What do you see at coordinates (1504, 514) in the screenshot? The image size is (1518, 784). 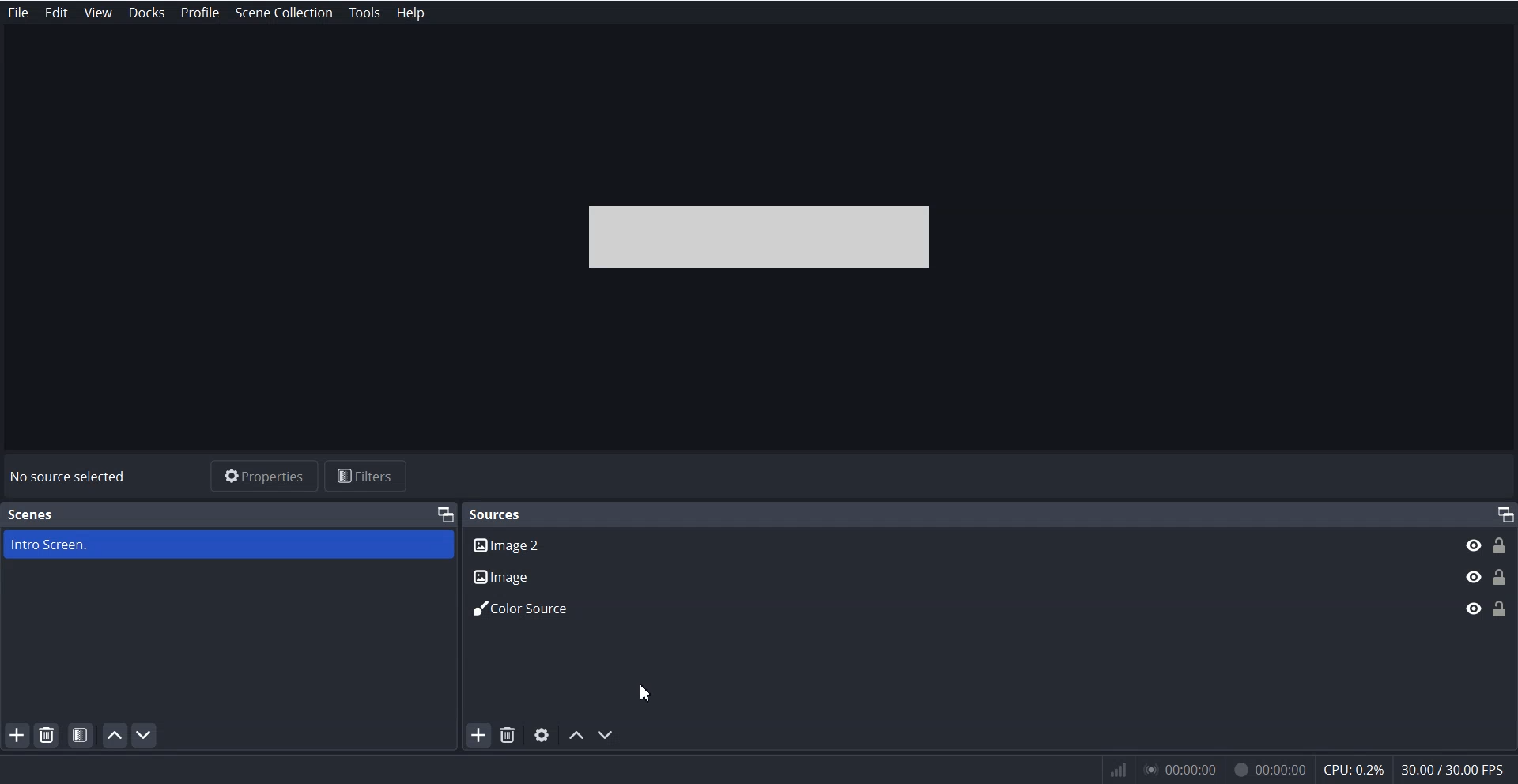 I see `Maximize` at bounding box center [1504, 514].